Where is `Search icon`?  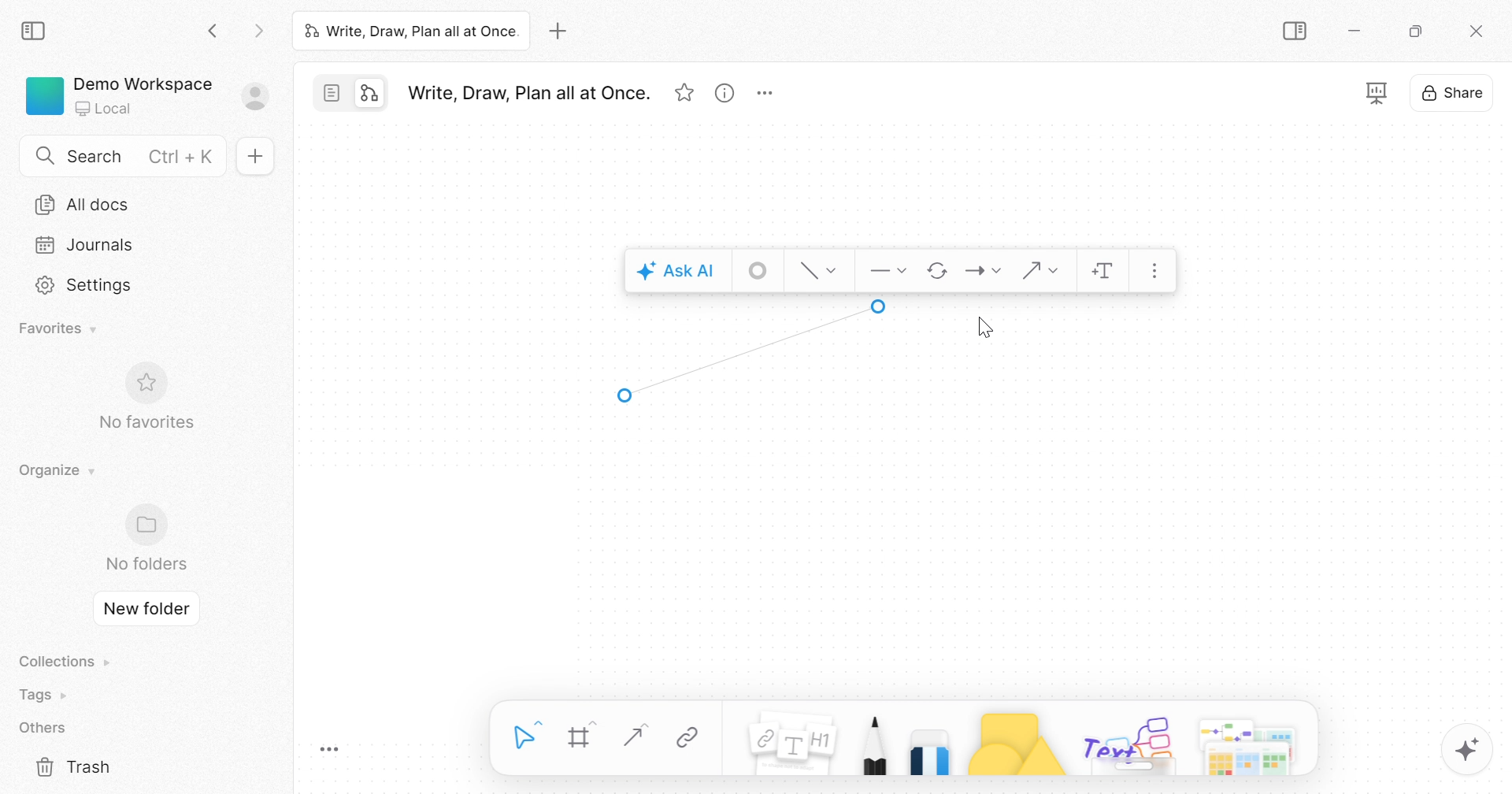 Search icon is located at coordinates (45, 157).